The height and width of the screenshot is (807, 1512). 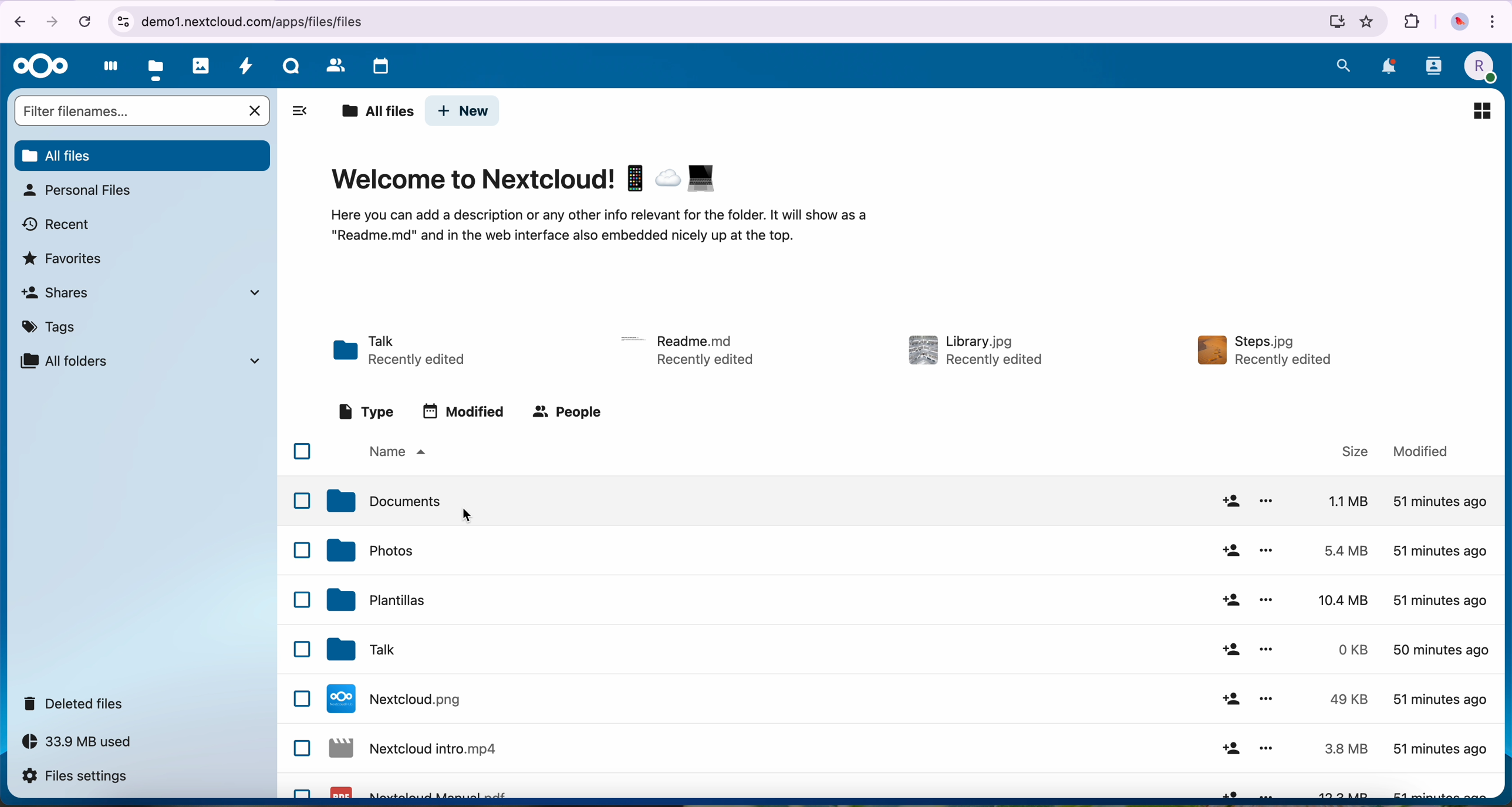 I want to click on checkbox, so click(x=302, y=649).